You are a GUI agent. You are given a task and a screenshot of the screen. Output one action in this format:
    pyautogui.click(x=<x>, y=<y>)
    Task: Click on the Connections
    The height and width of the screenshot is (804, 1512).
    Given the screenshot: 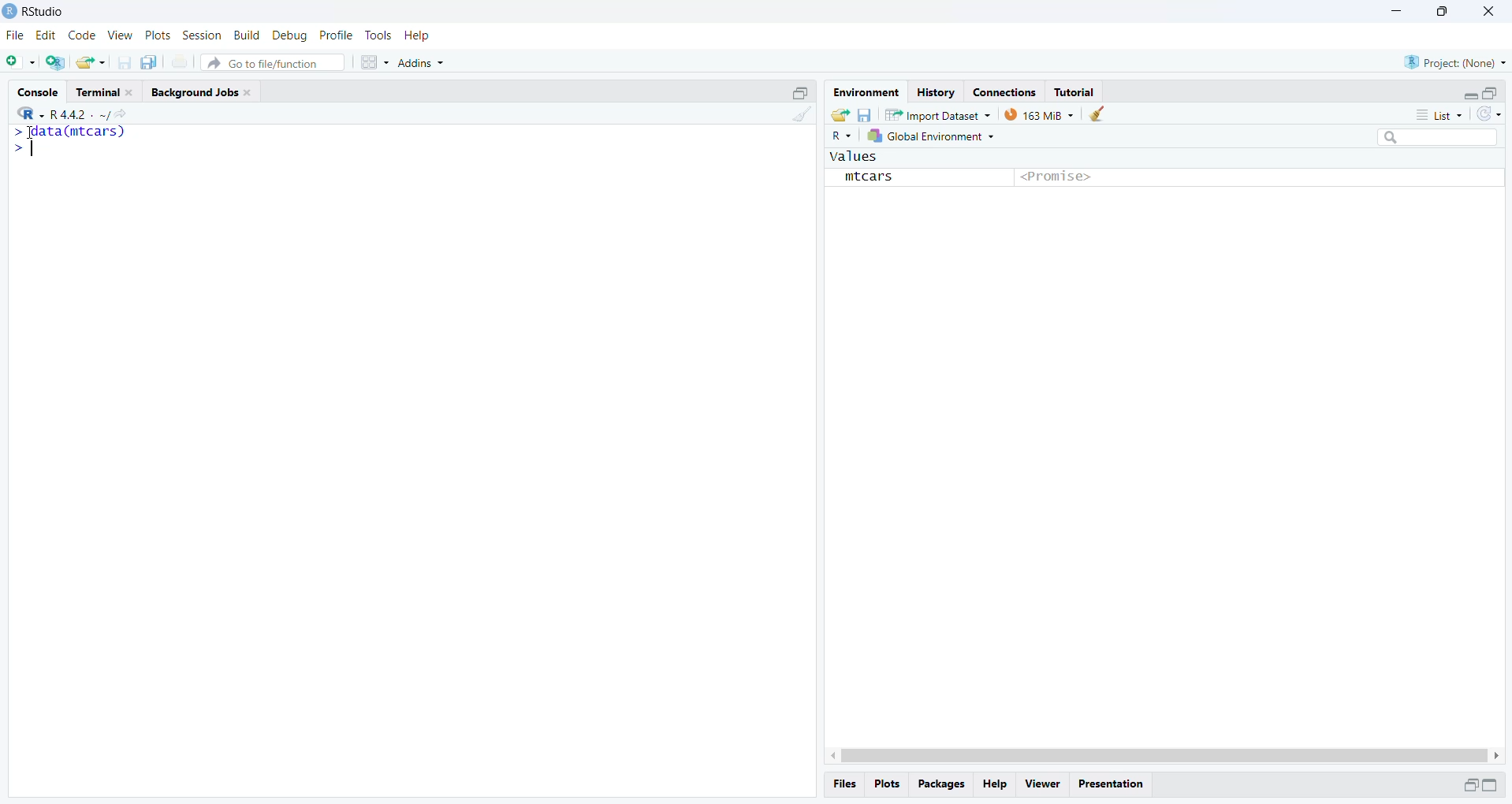 What is the action you would take?
    pyautogui.click(x=1005, y=93)
    